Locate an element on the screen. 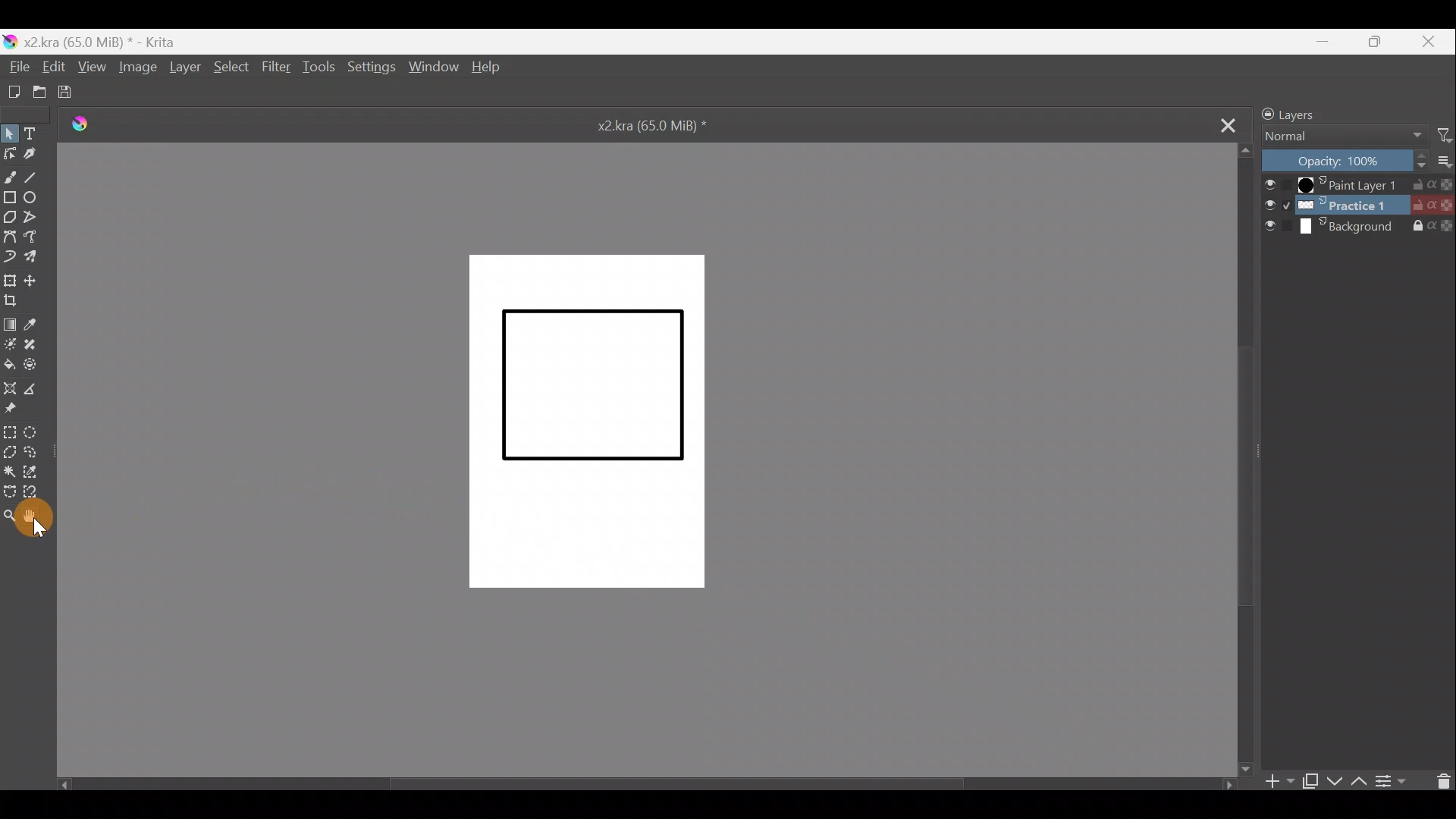 This screenshot has height=819, width=1456. Tools is located at coordinates (316, 71).